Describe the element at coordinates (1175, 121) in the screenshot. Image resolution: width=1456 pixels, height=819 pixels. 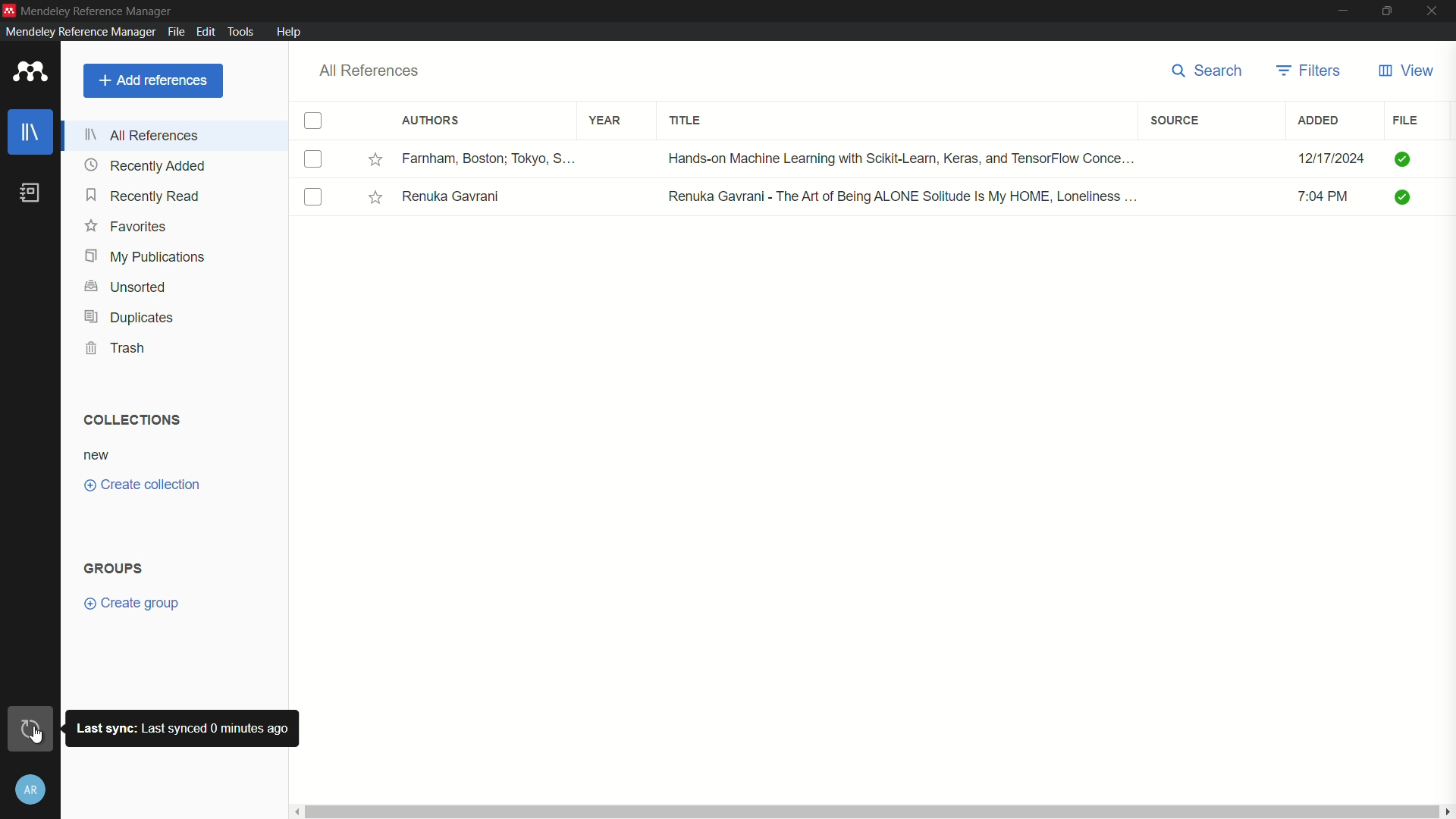
I see `source` at that location.